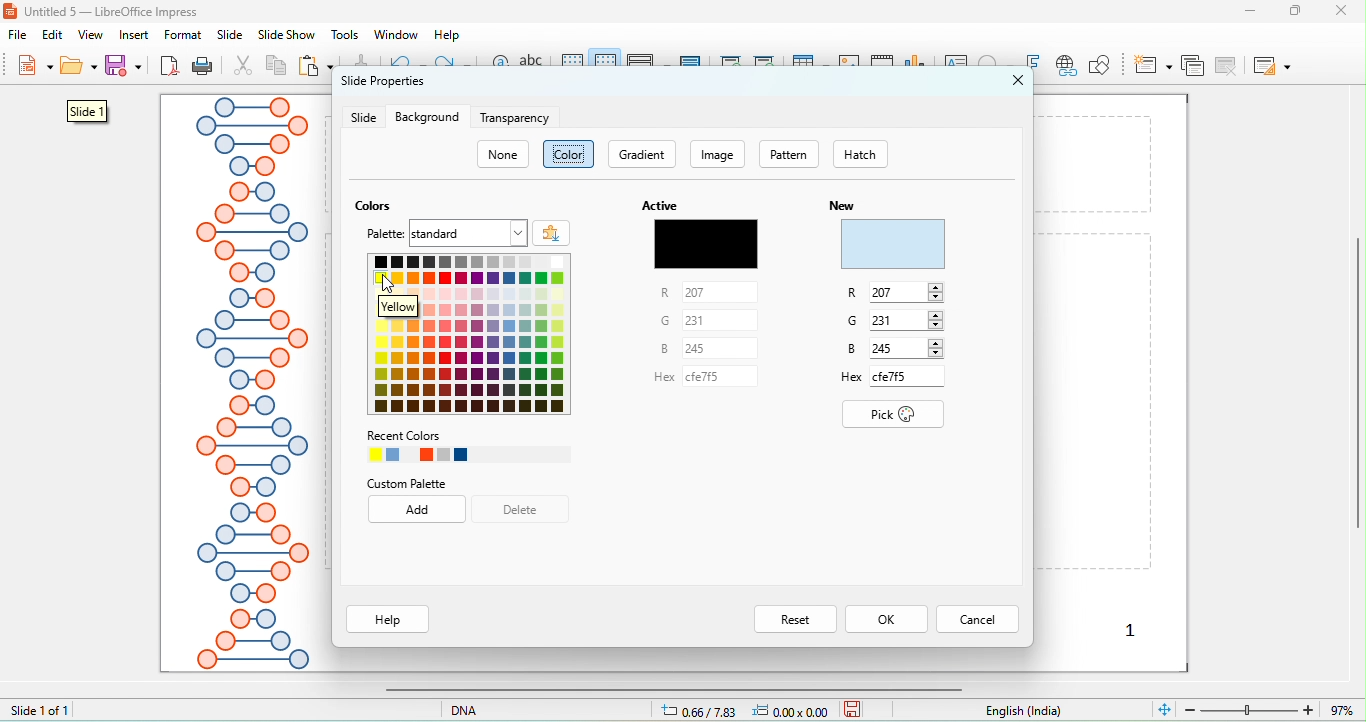 This screenshot has height=722, width=1366. Describe the element at coordinates (1034, 63) in the screenshot. I see `fontwork text` at that location.